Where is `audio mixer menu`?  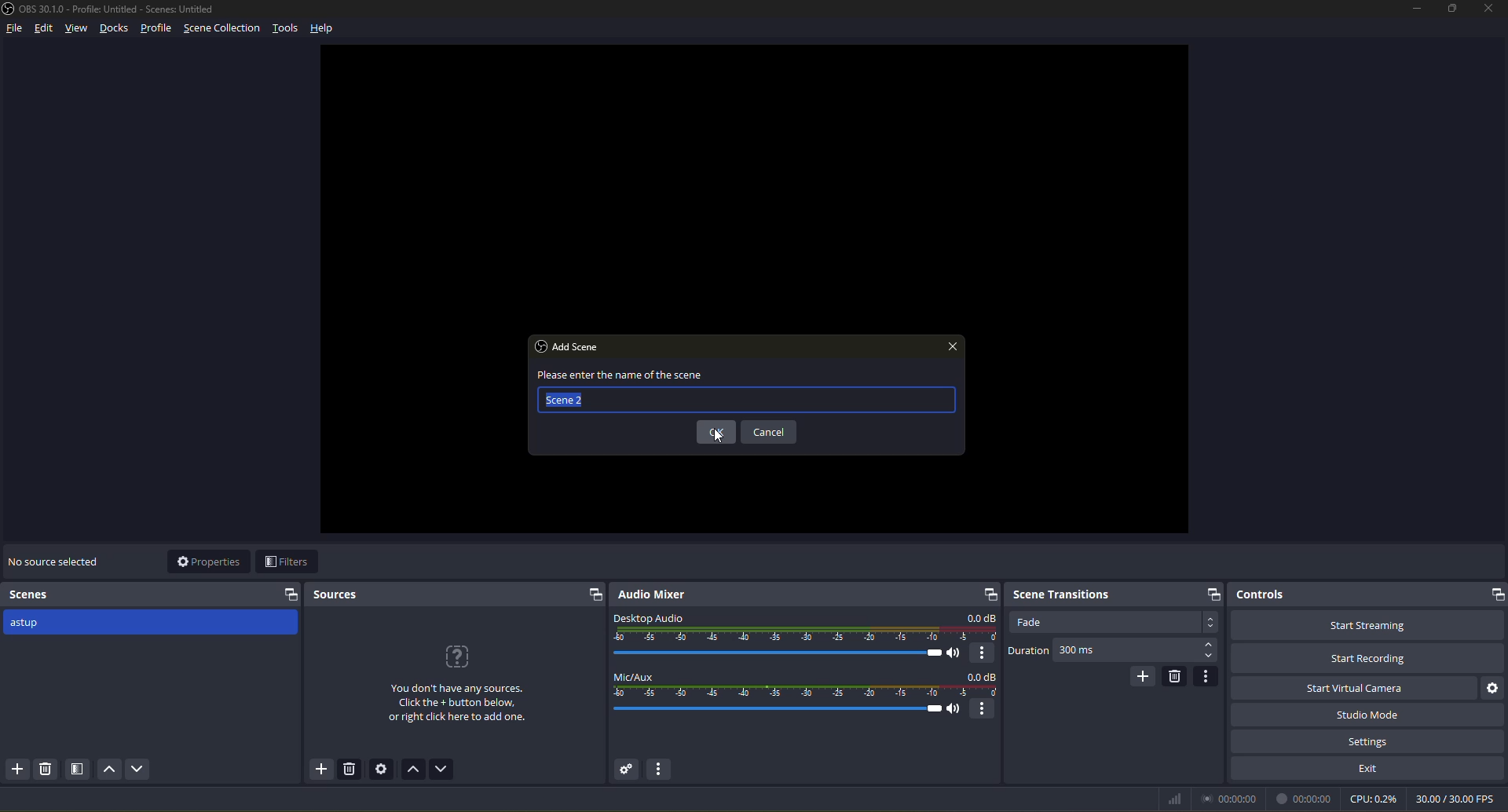 audio mixer menu is located at coordinates (660, 769).